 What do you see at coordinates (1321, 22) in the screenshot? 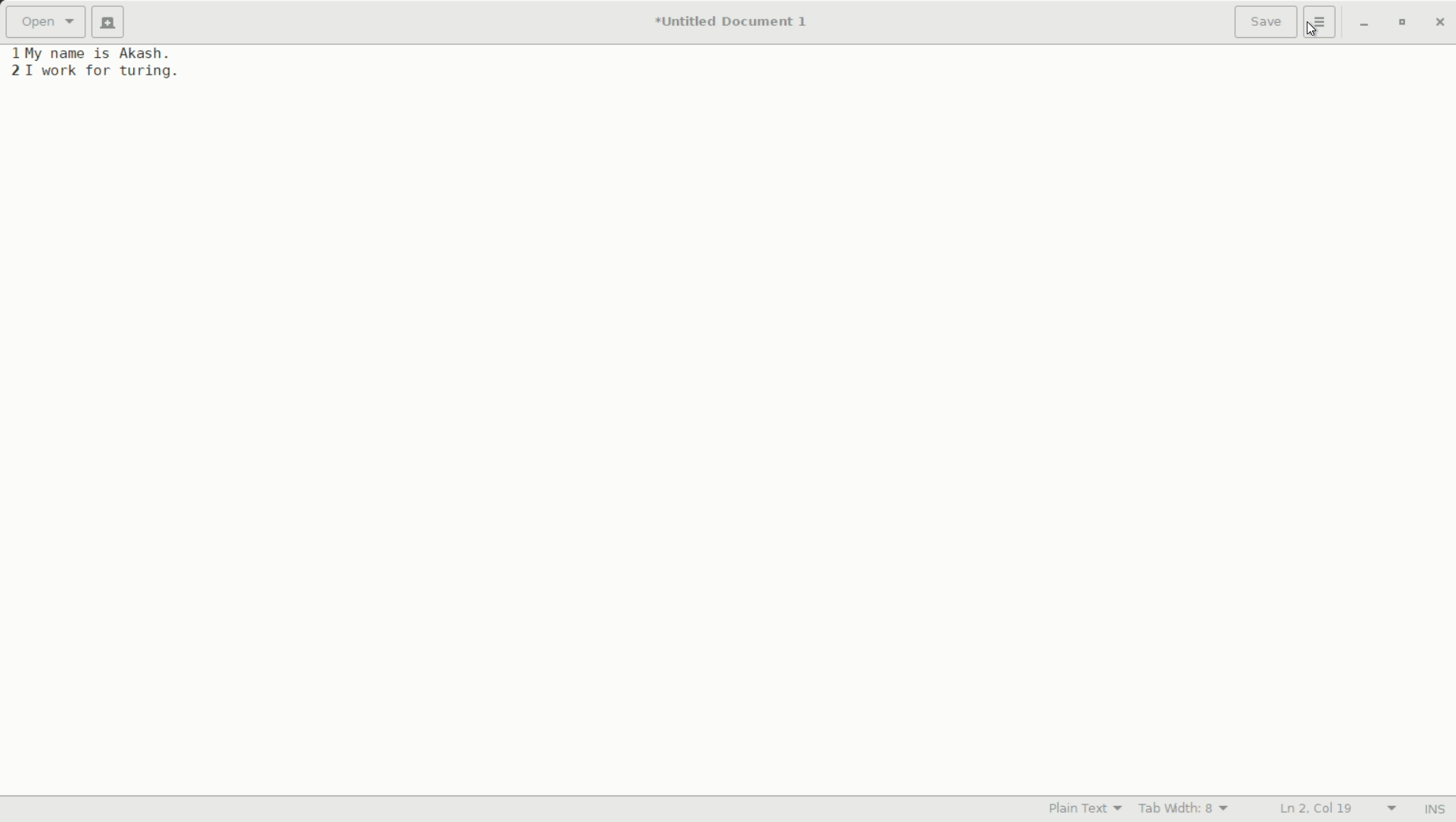
I see `more options` at bounding box center [1321, 22].